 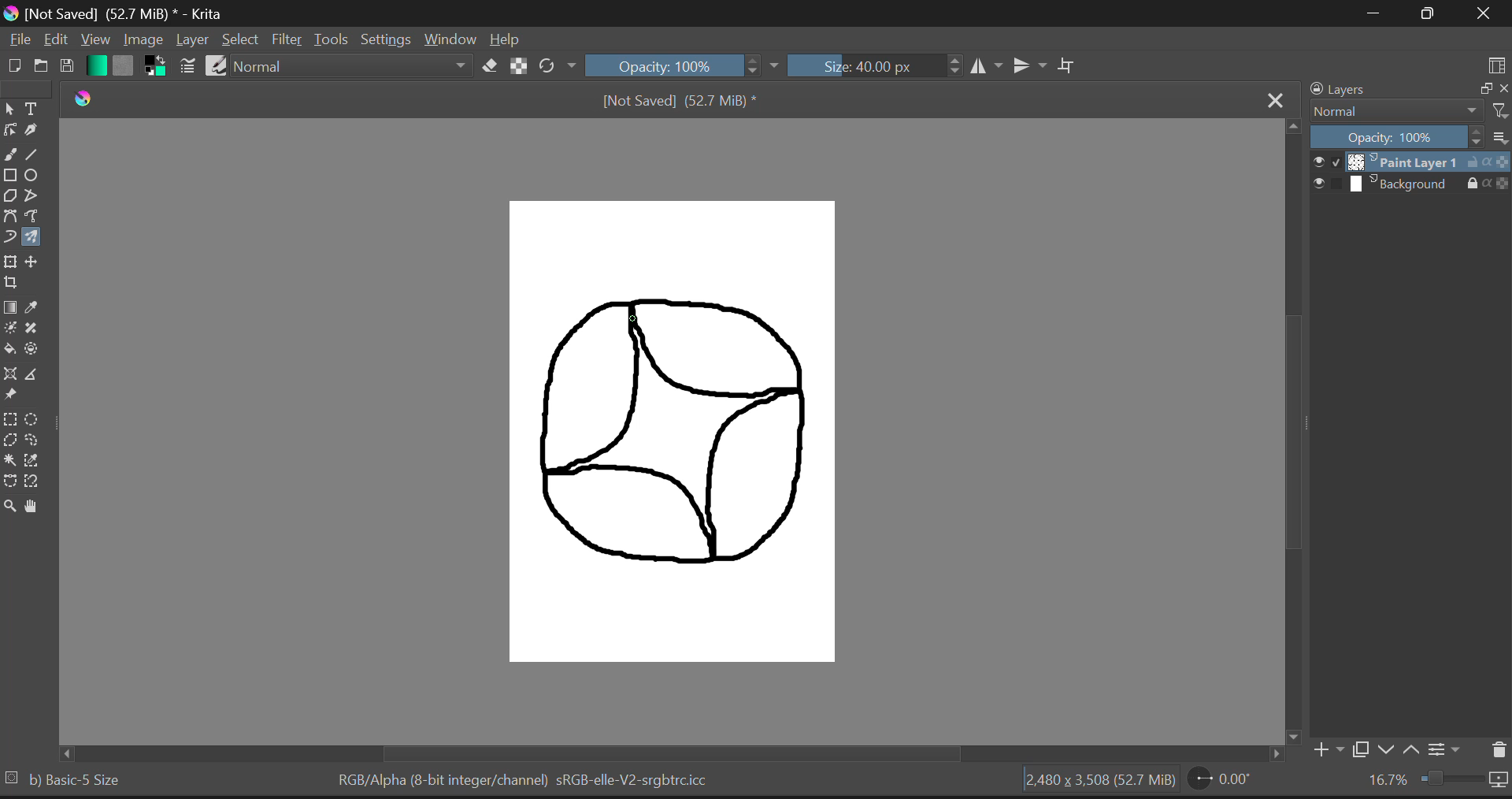 I want to click on Edit Shapes, so click(x=10, y=130).